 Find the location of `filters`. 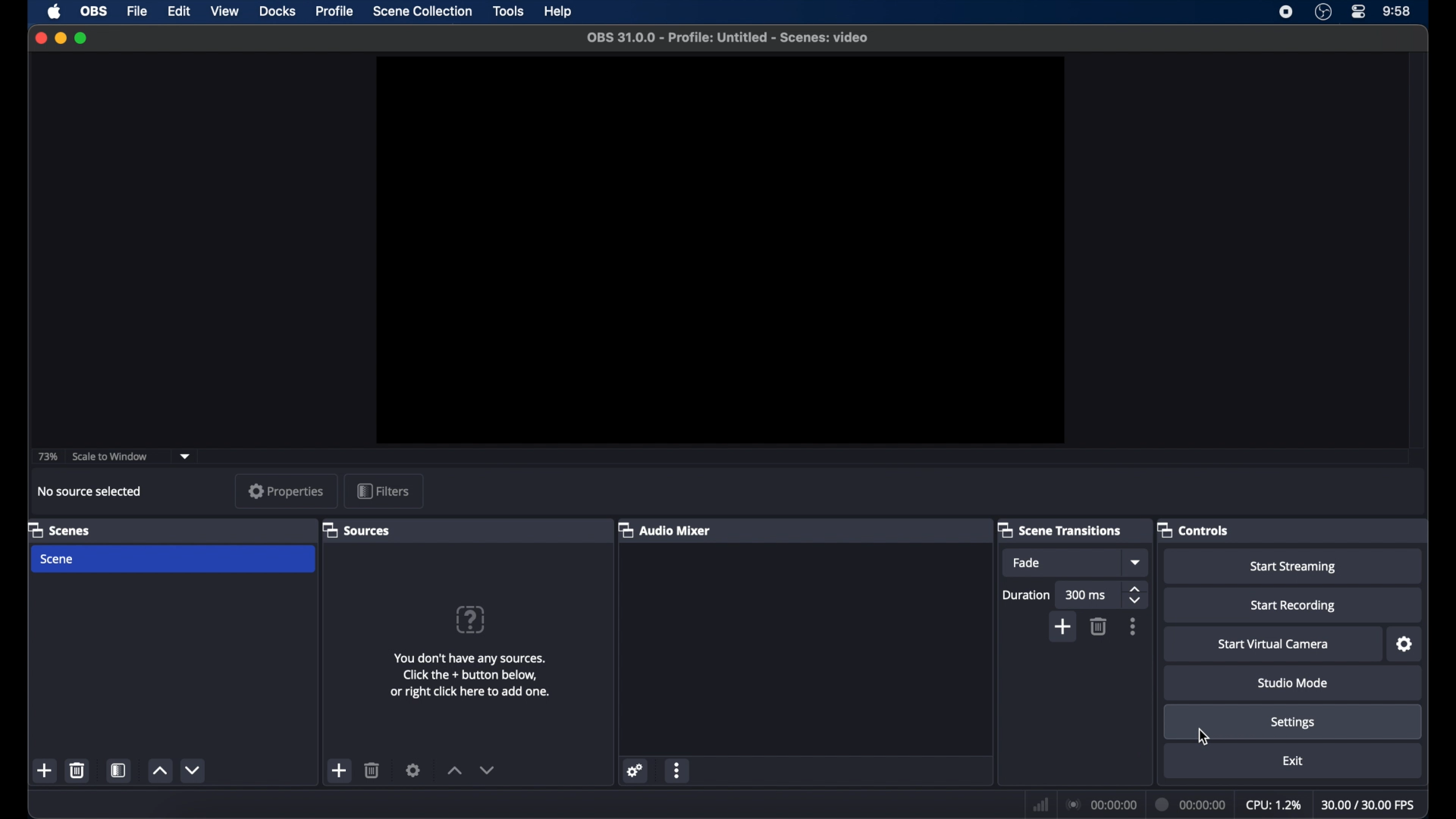

filters is located at coordinates (383, 491).